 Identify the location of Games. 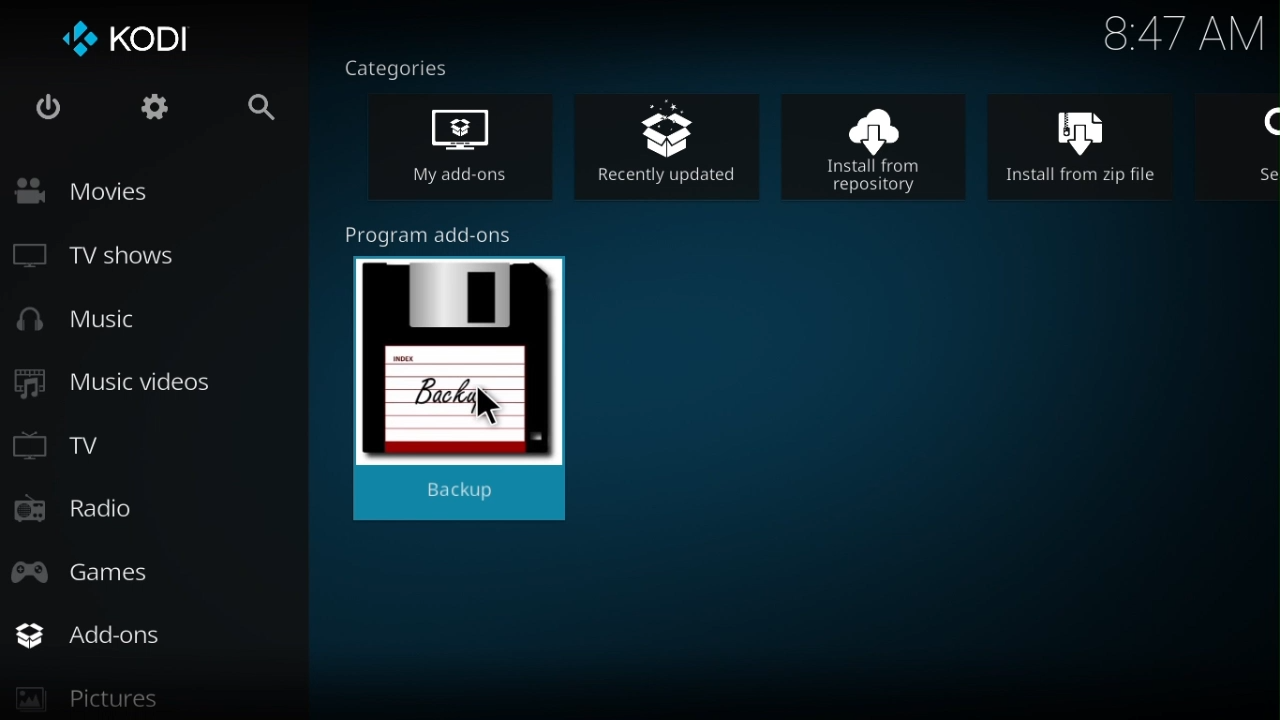
(106, 568).